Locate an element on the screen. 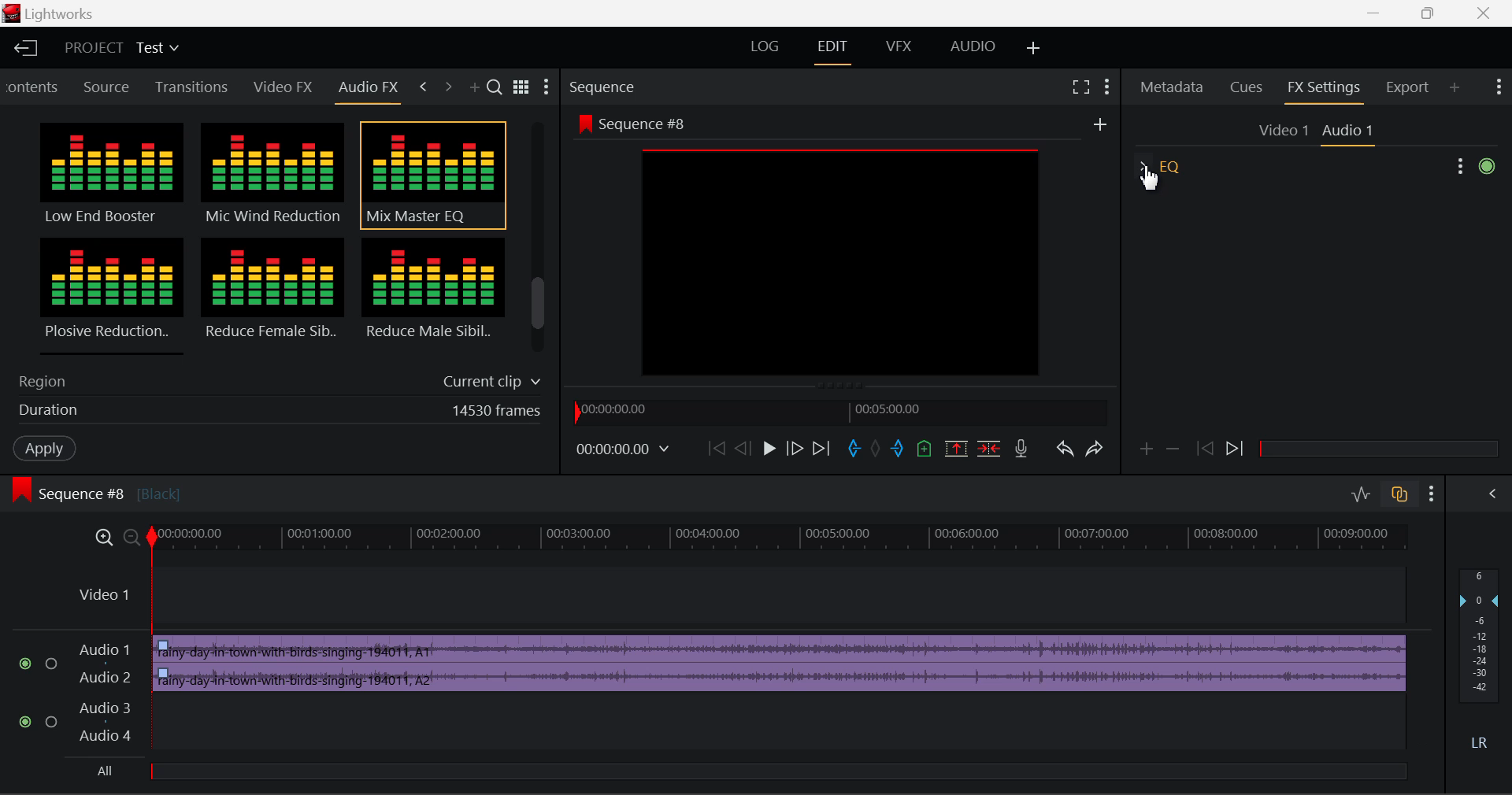 The height and width of the screenshot is (795, 1512). Delete/Cut is located at coordinates (991, 449).